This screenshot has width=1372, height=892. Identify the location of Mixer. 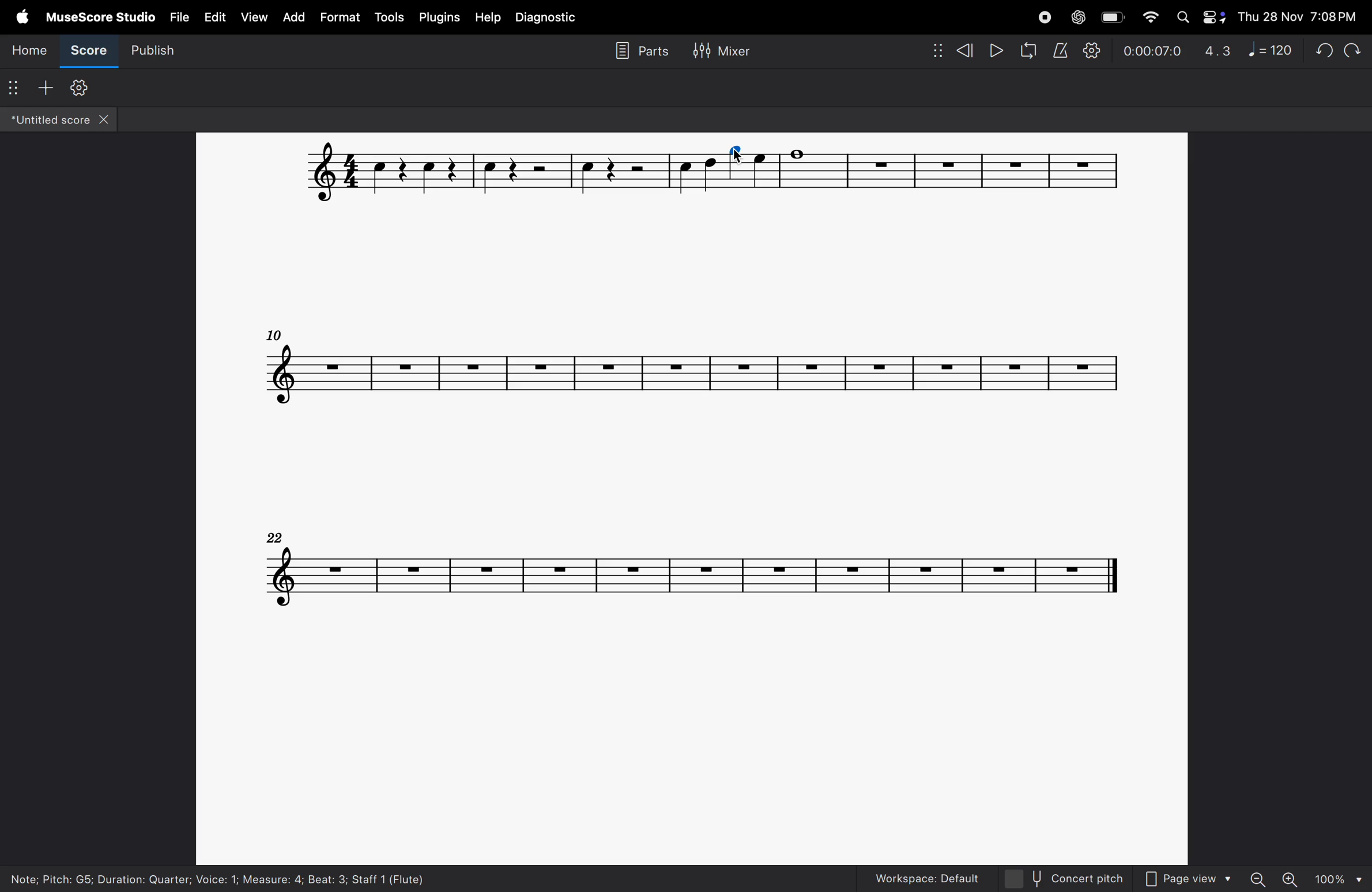
(741, 52).